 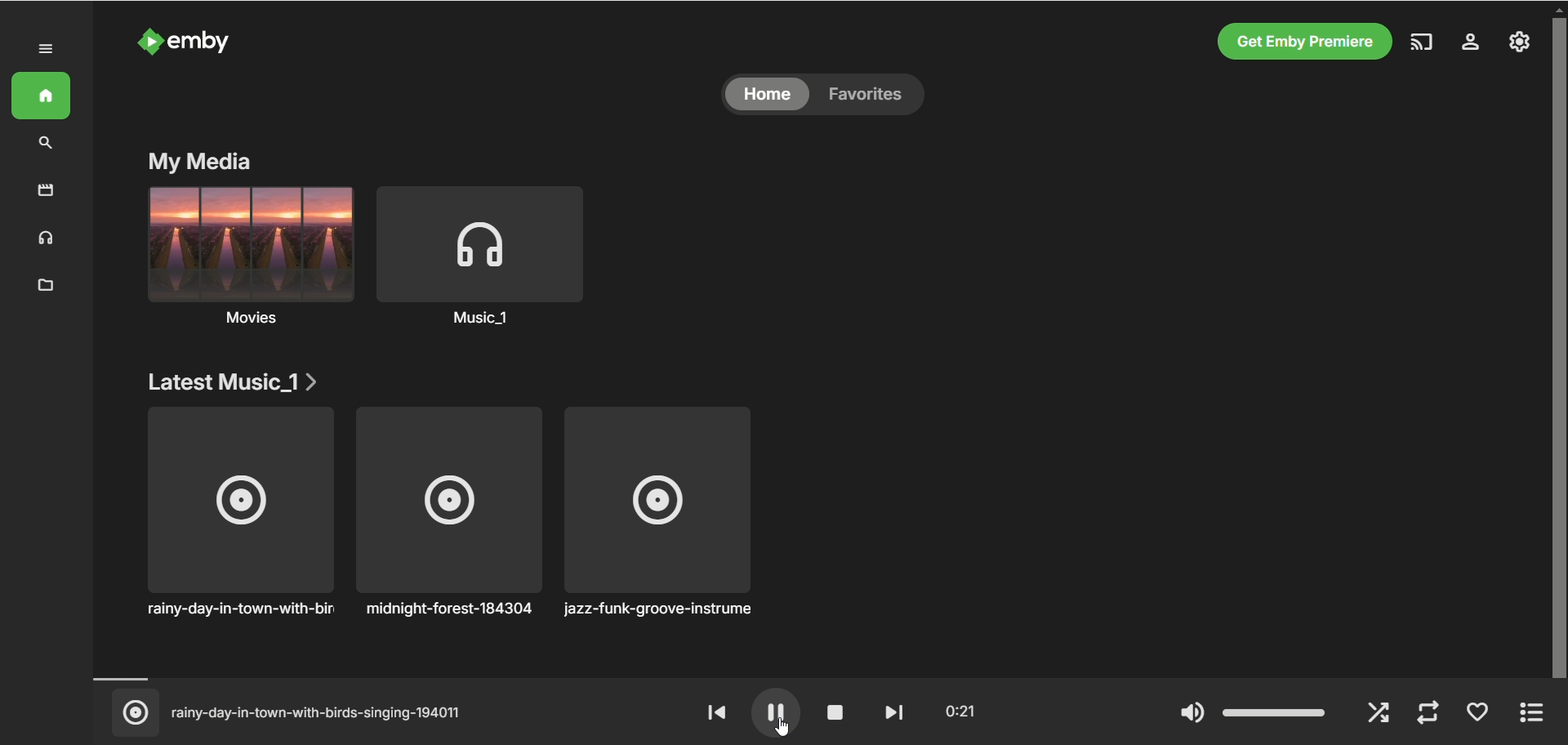 What do you see at coordinates (247, 259) in the screenshot?
I see `movies` at bounding box center [247, 259].